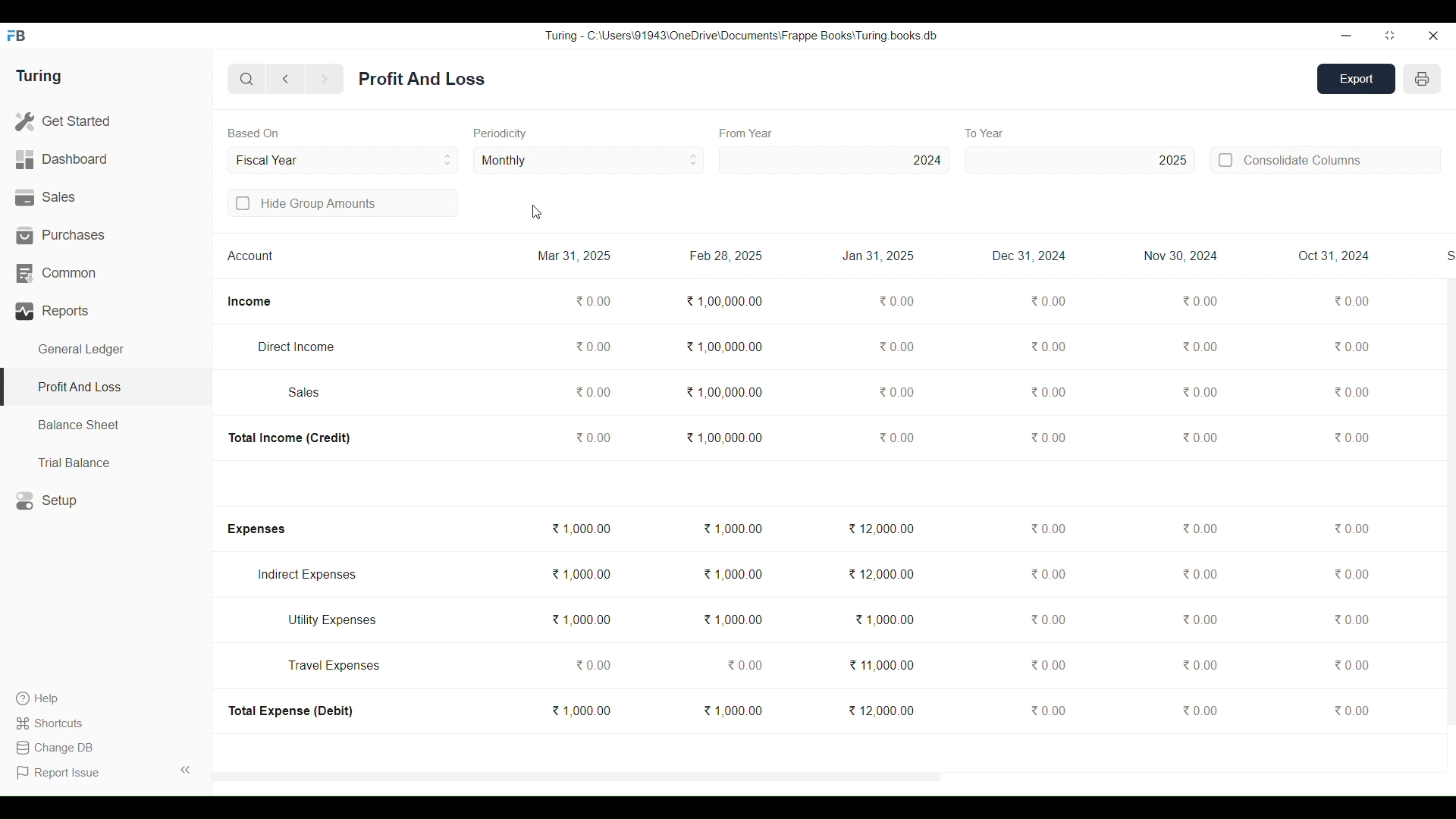 The image size is (1456, 819). Describe the element at coordinates (1351, 710) in the screenshot. I see `0.00` at that location.